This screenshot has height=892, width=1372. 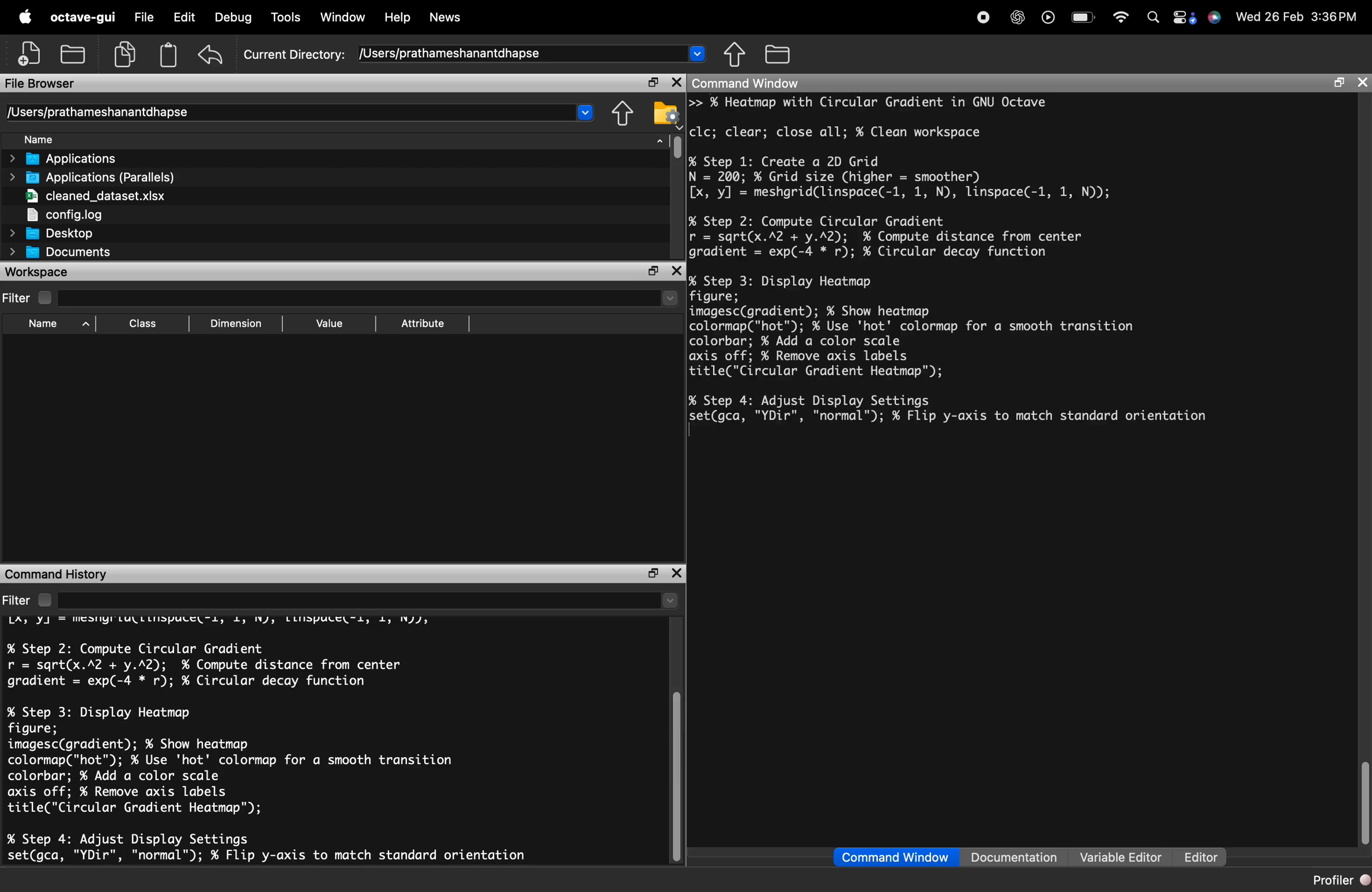 What do you see at coordinates (665, 112) in the screenshot?
I see `Directory settings` at bounding box center [665, 112].